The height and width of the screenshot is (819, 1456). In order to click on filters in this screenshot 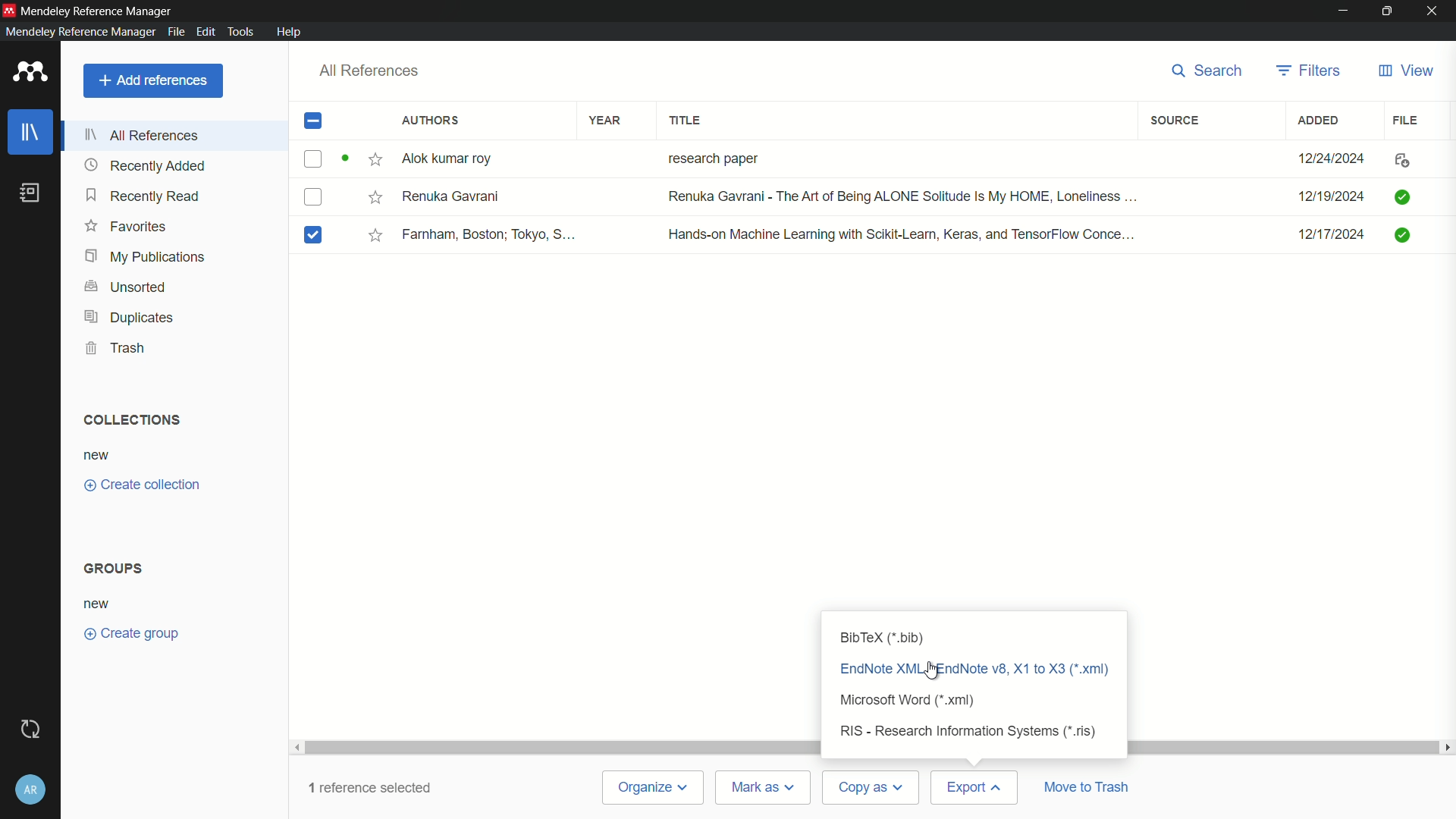, I will do `click(1307, 71)`.